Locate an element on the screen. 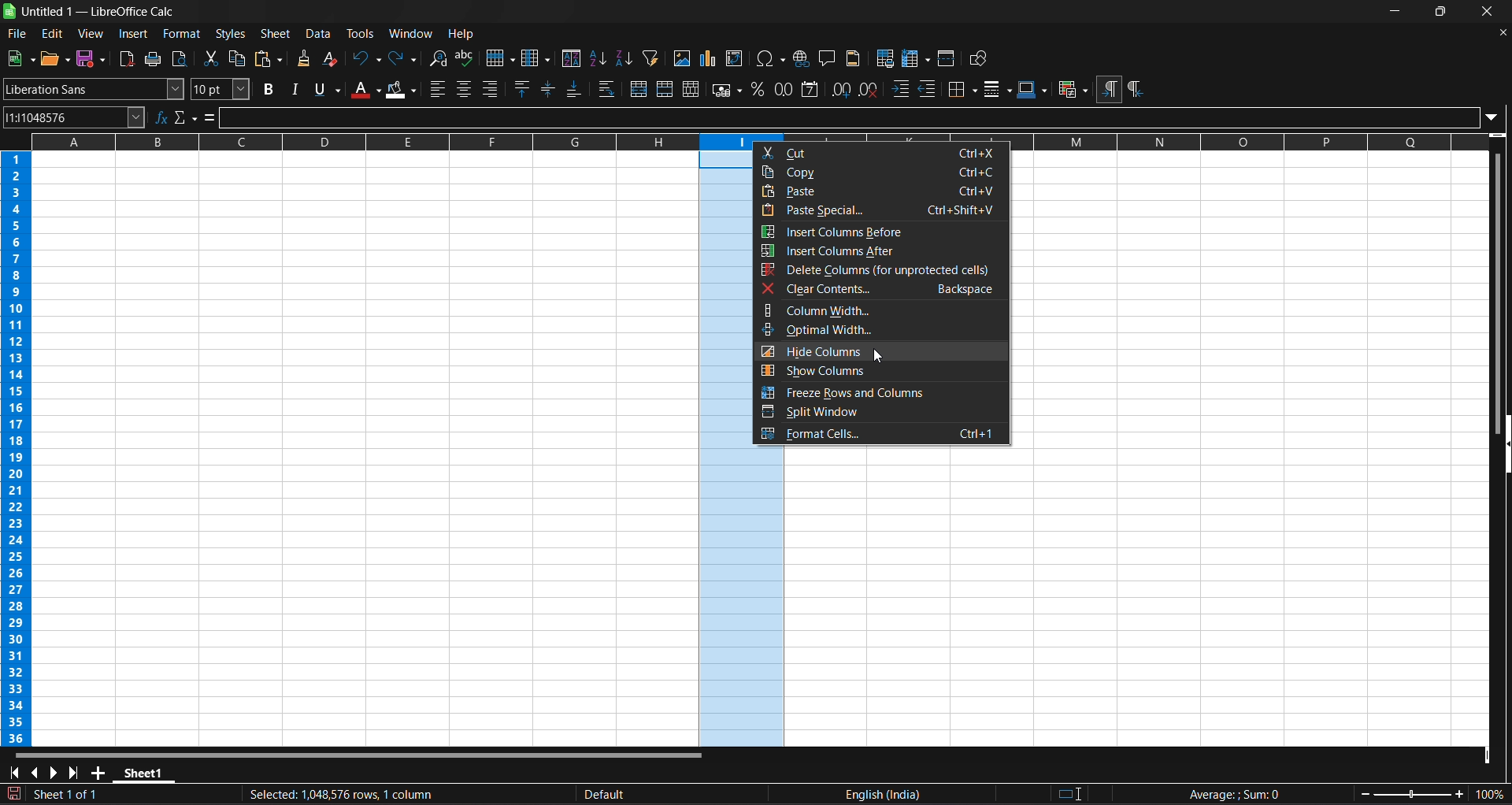  define print area is located at coordinates (884, 58).